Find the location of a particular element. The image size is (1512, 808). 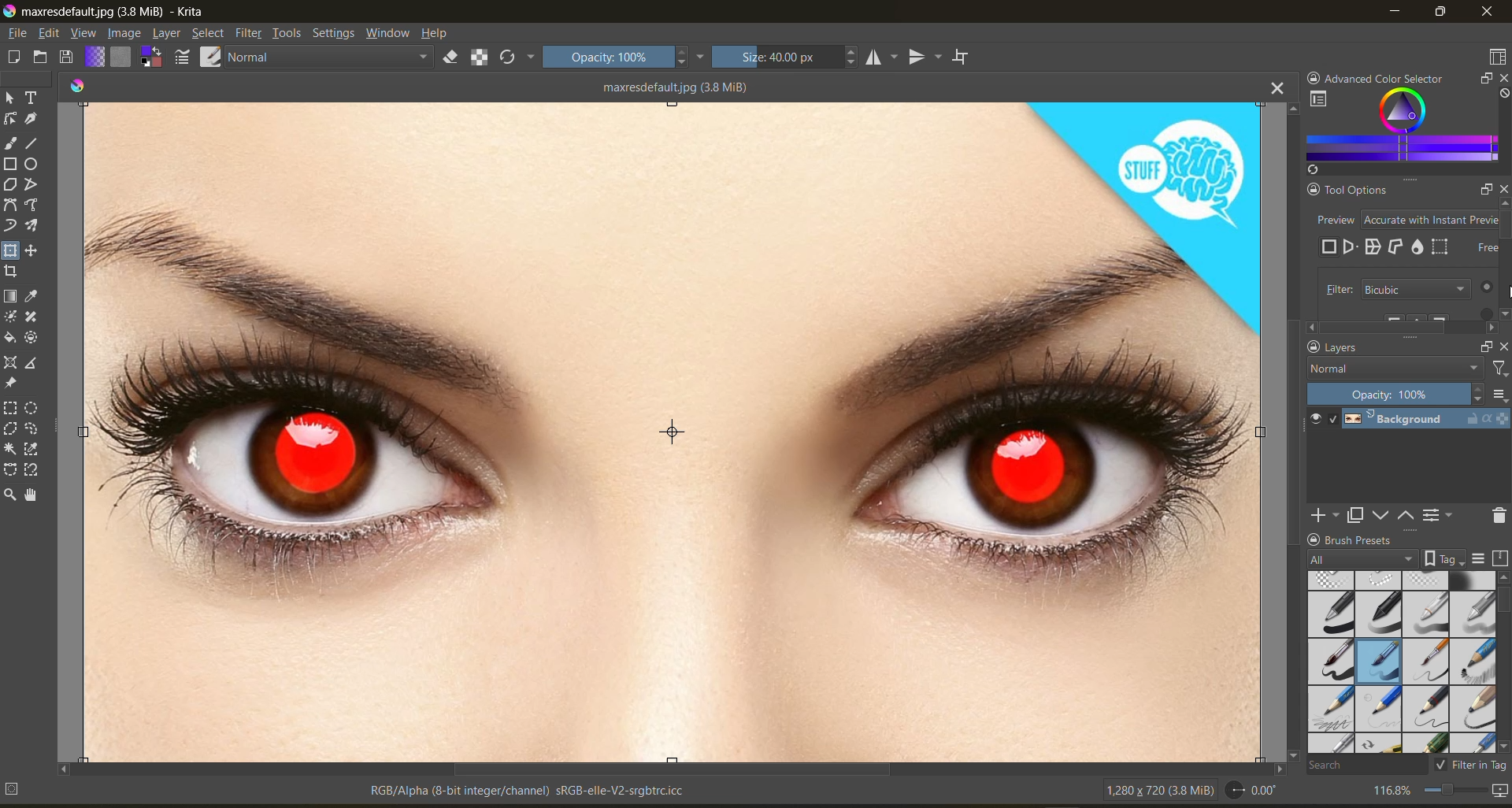

Layers is located at coordinates (1372, 348).